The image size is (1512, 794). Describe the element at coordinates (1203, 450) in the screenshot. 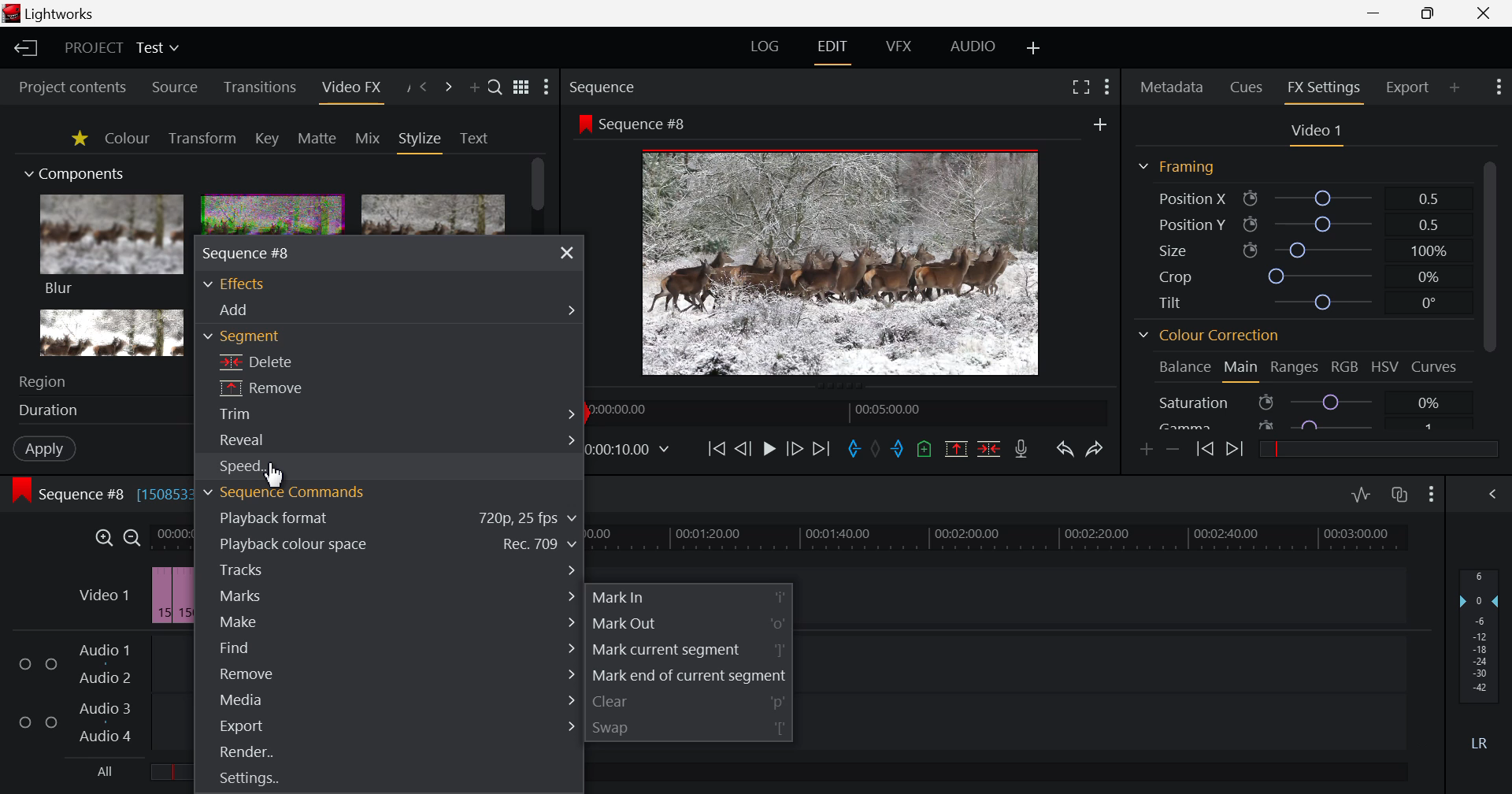

I see `Previous keyframe` at that location.